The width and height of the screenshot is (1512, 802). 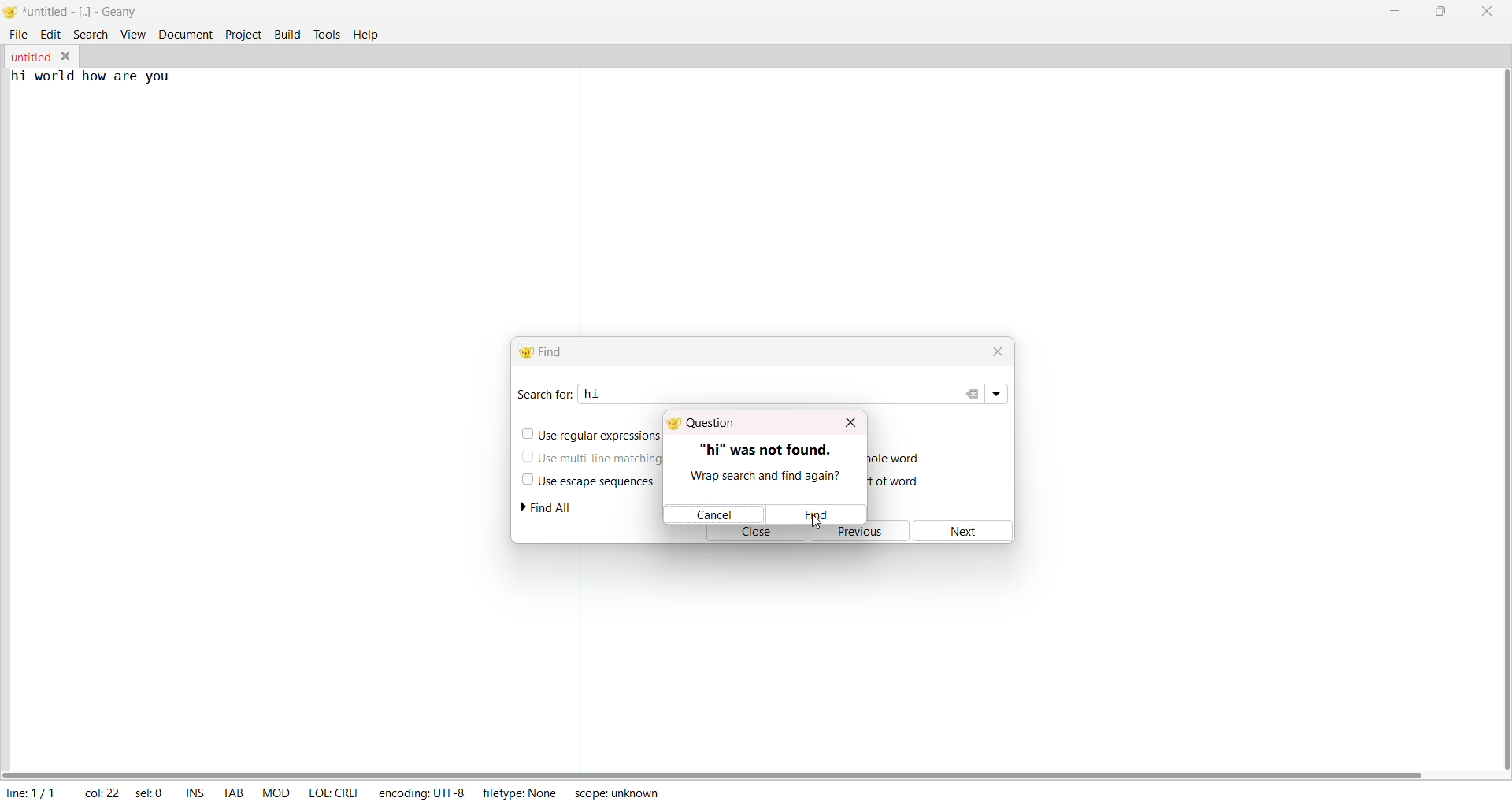 I want to click on file, so click(x=16, y=33).